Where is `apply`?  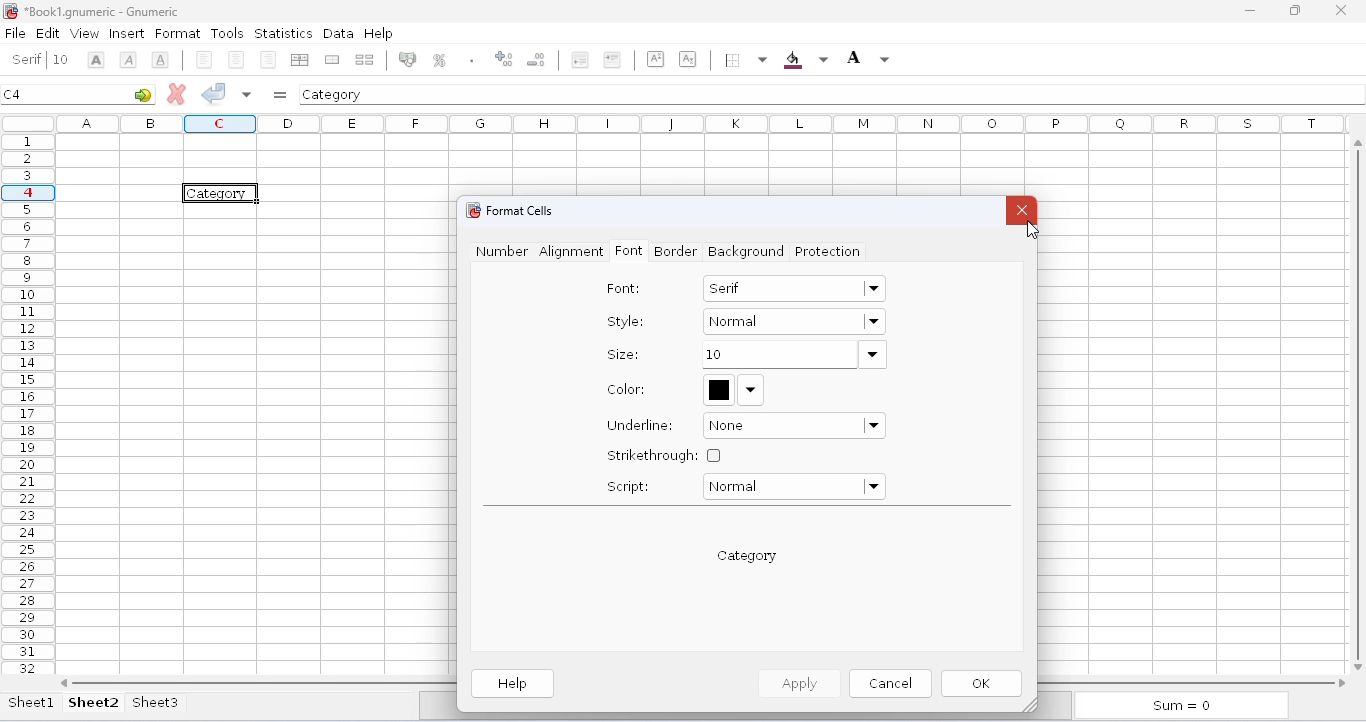 apply is located at coordinates (797, 682).